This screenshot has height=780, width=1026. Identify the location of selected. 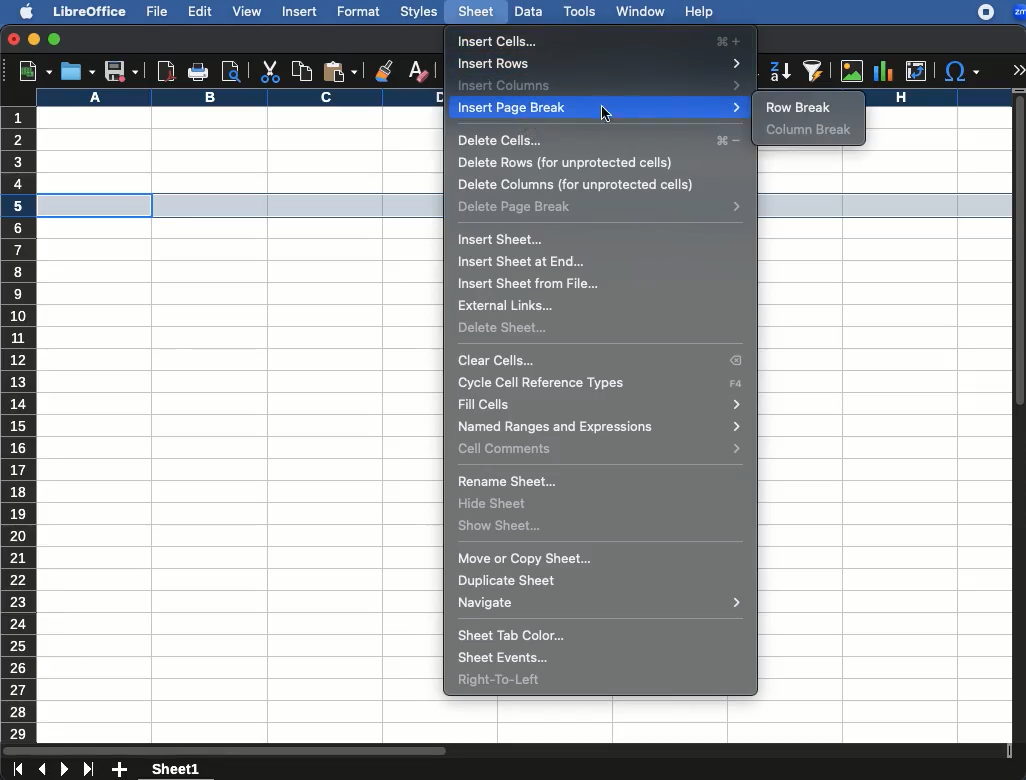
(223, 206).